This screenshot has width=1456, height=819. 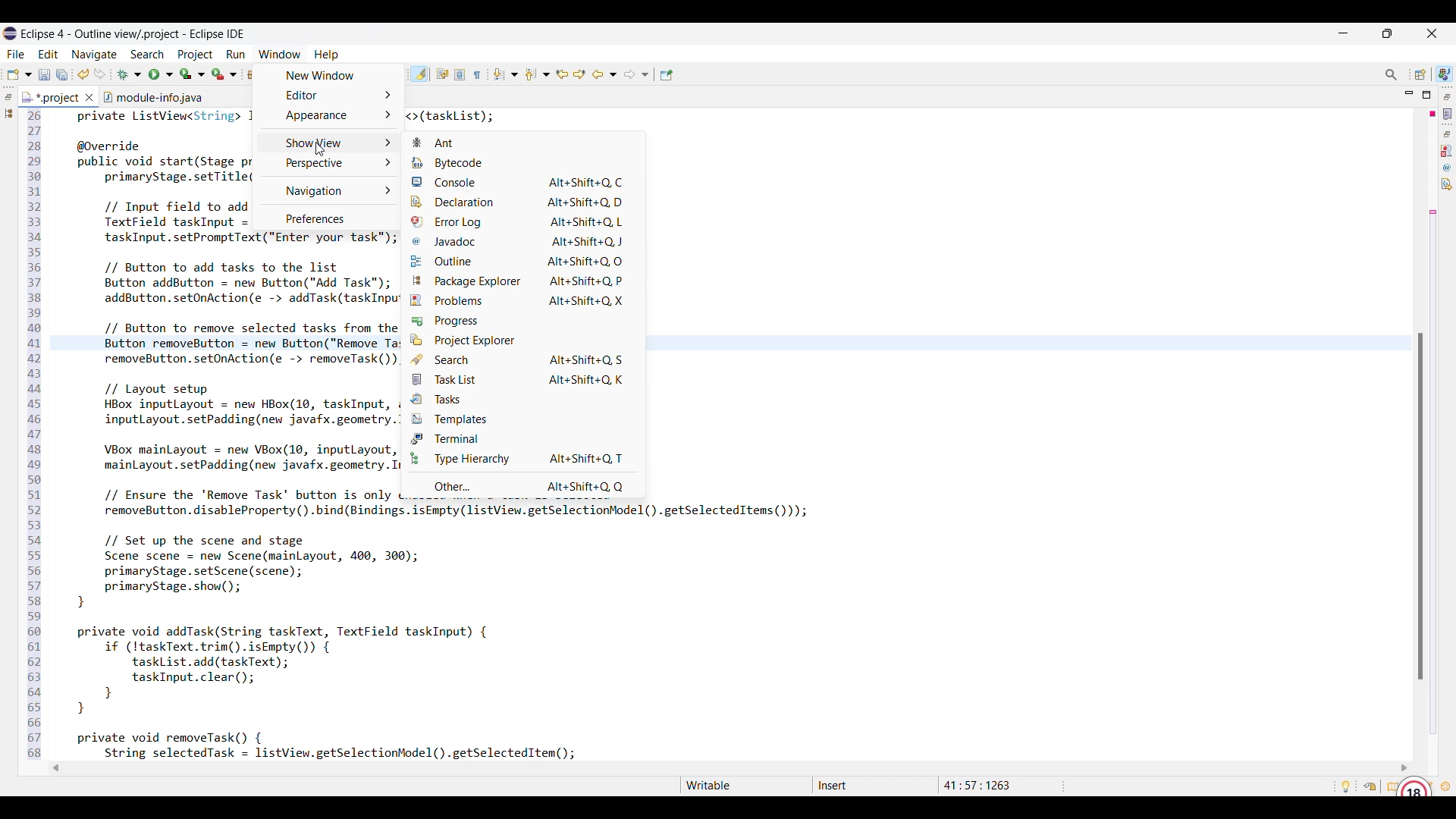 I want to click on line number, so click(x=33, y=438).